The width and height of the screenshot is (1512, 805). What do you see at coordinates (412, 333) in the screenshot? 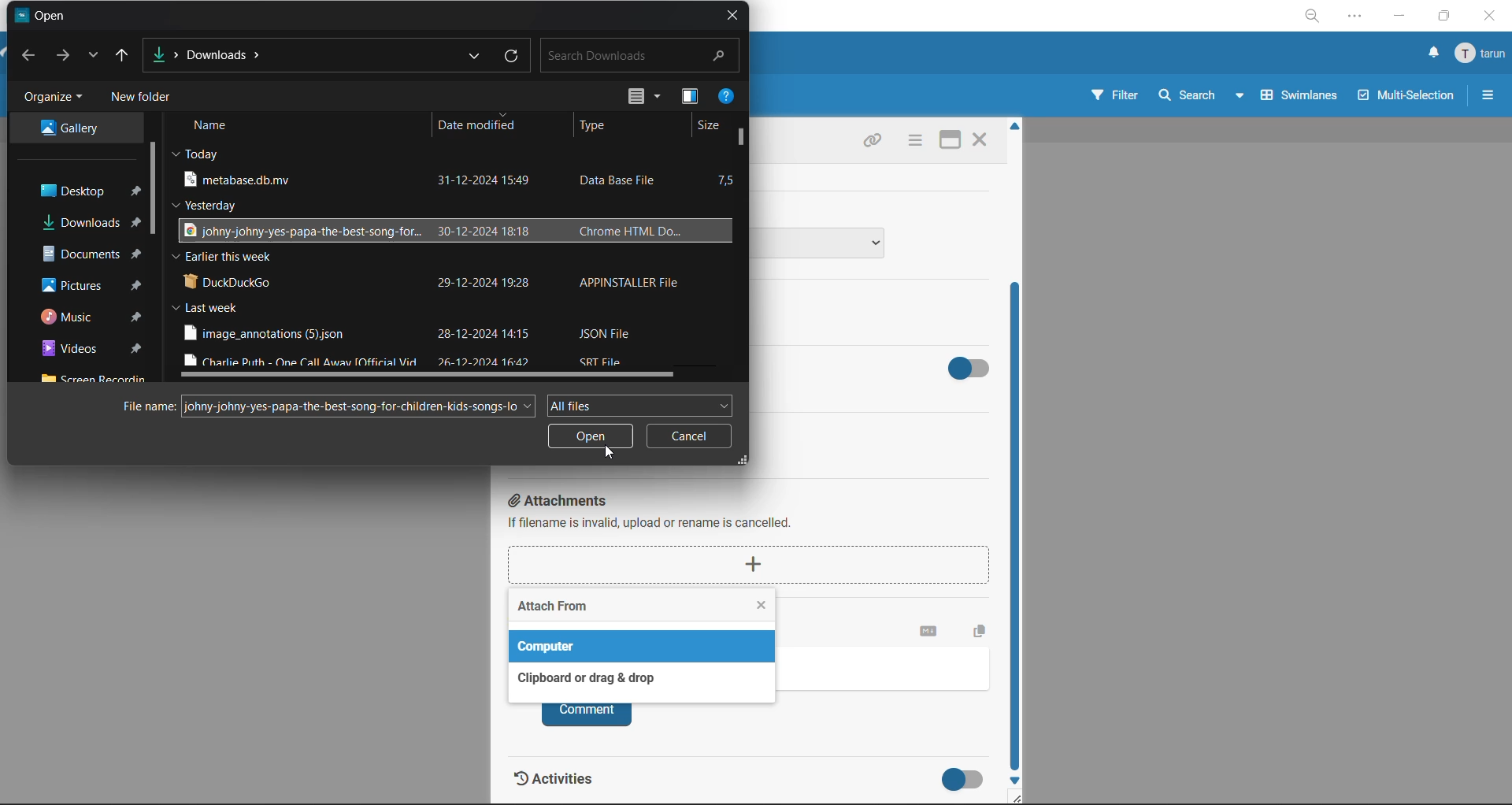
I see `file with date and type` at bounding box center [412, 333].